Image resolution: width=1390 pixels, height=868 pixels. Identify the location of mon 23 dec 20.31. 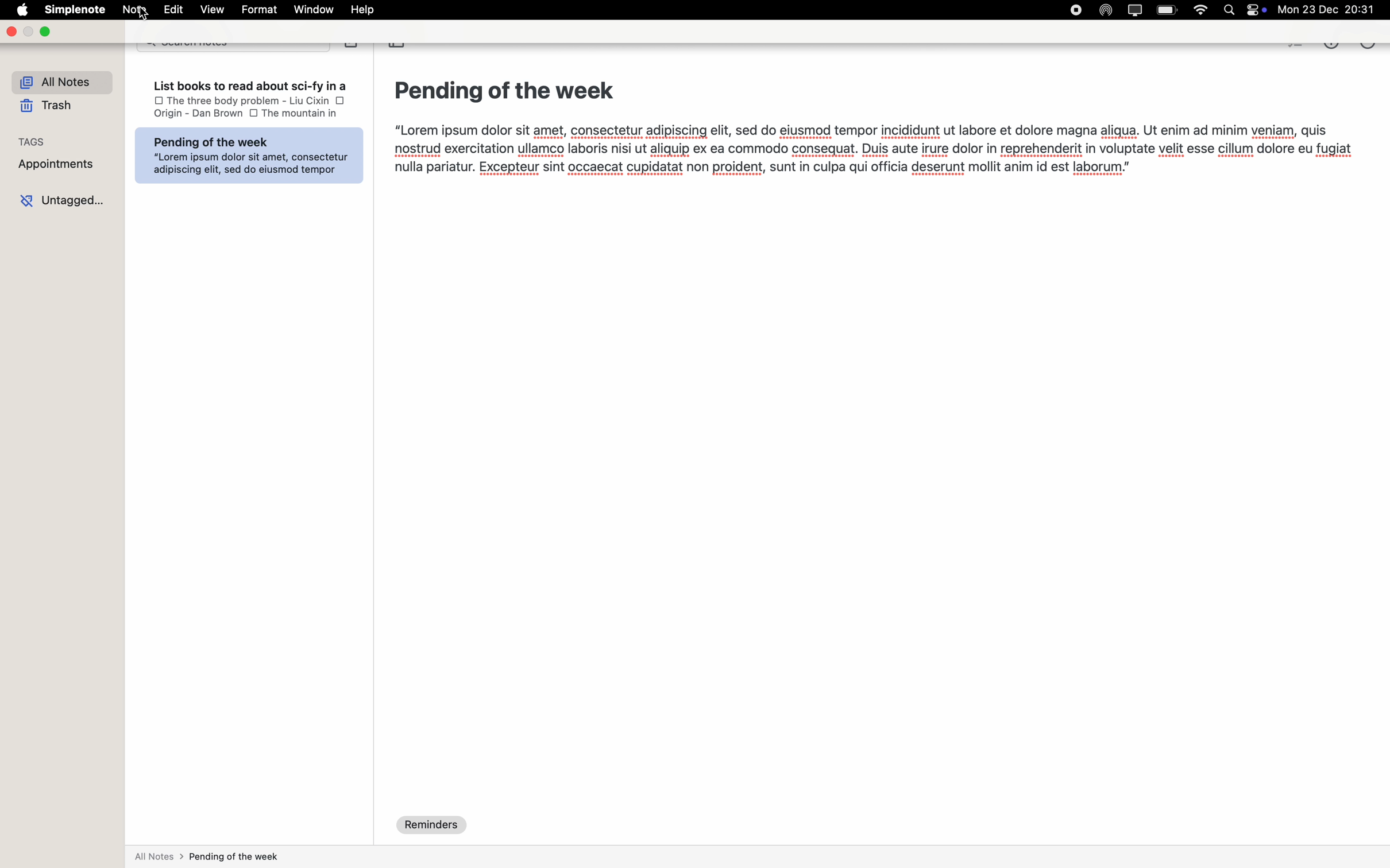
(1329, 10).